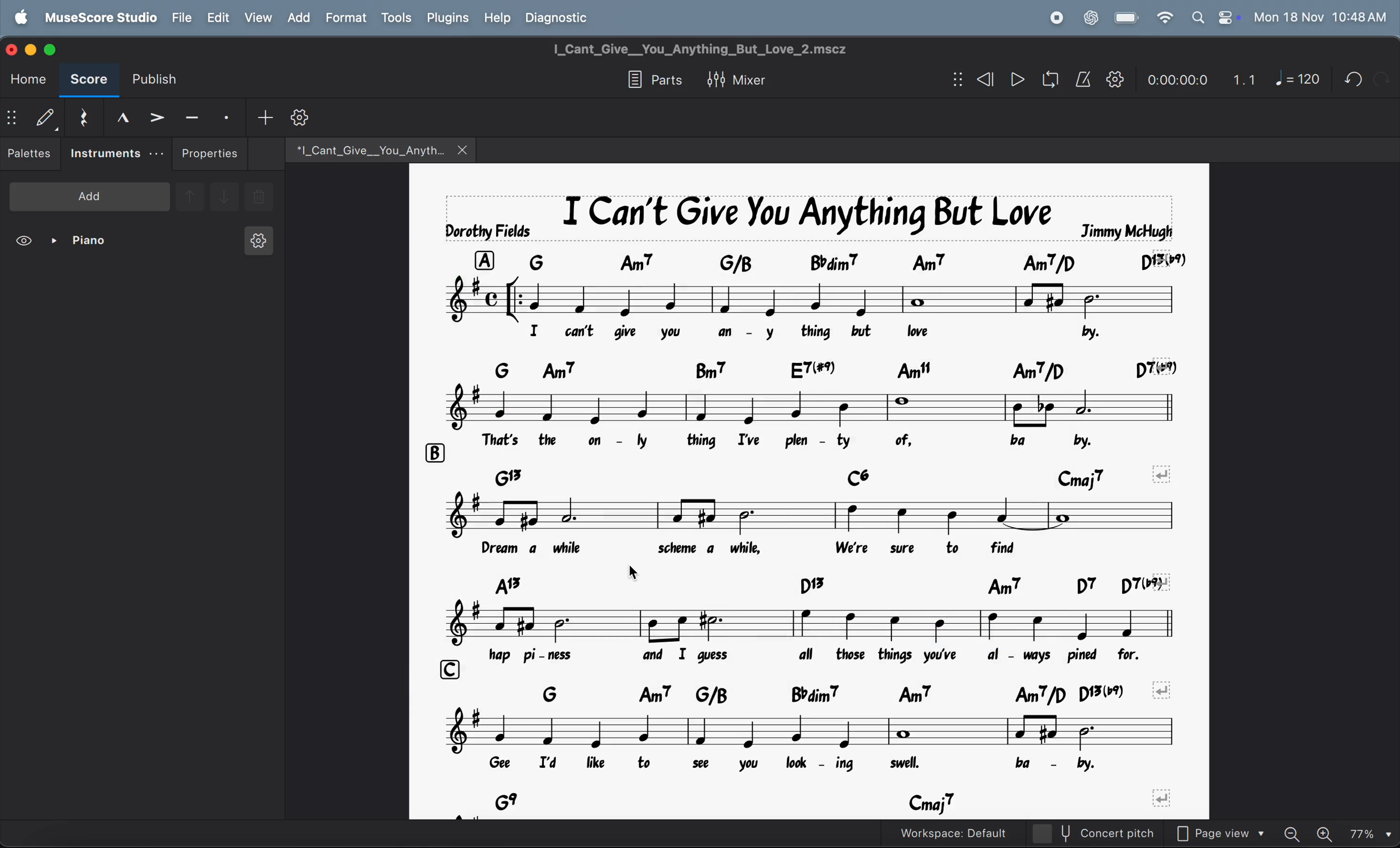 Image resolution: width=1400 pixels, height=848 pixels. What do you see at coordinates (1327, 832) in the screenshot?
I see `zoom in` at bounding box center [1327, 832].